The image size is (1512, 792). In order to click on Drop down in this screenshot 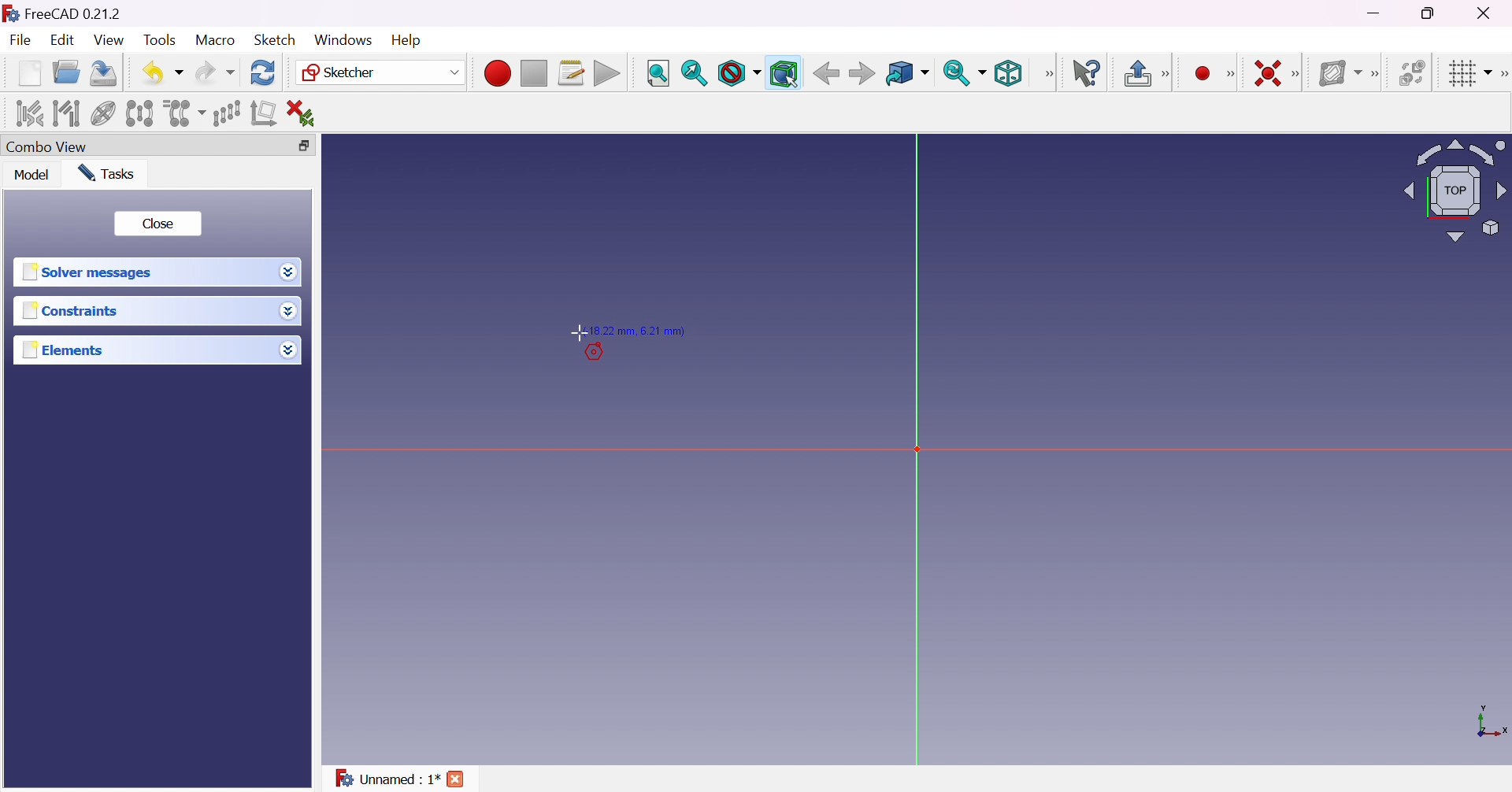, I will do `click(292, 313)`.